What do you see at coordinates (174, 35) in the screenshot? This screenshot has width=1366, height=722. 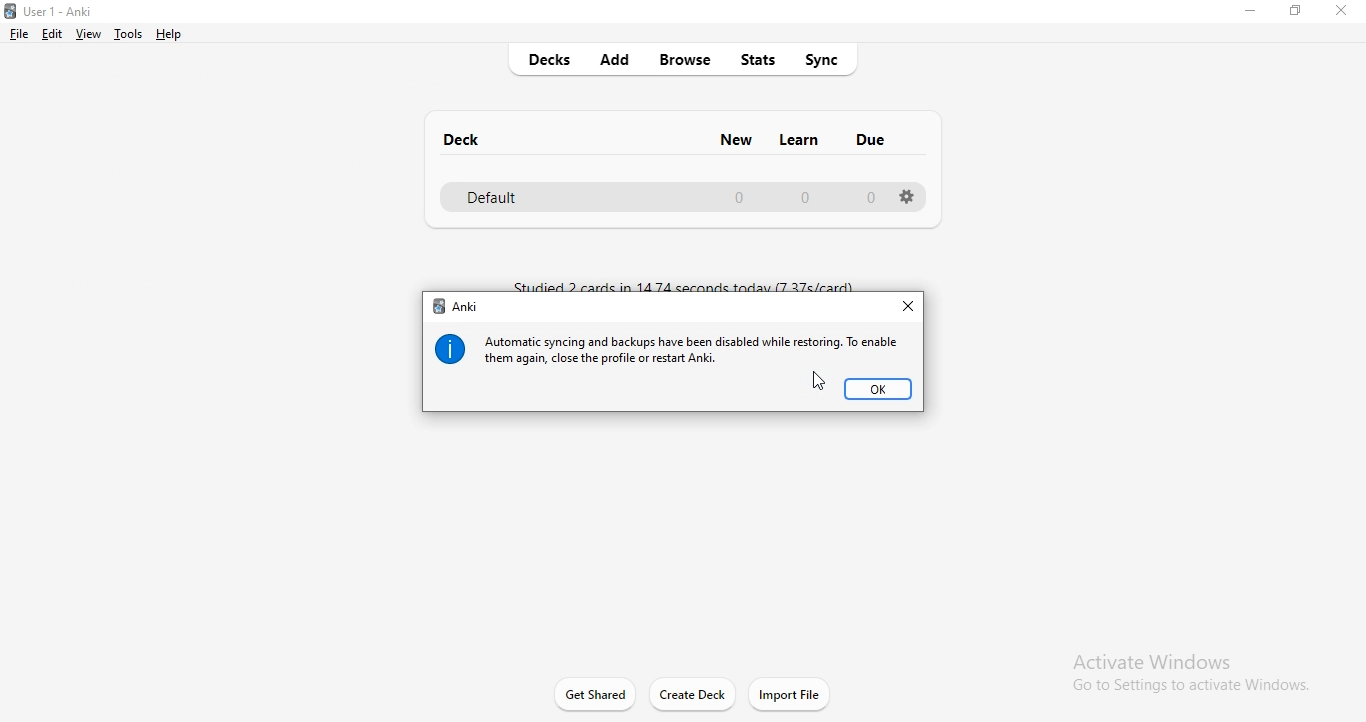 I see `help` at bounding box center [174, 35].